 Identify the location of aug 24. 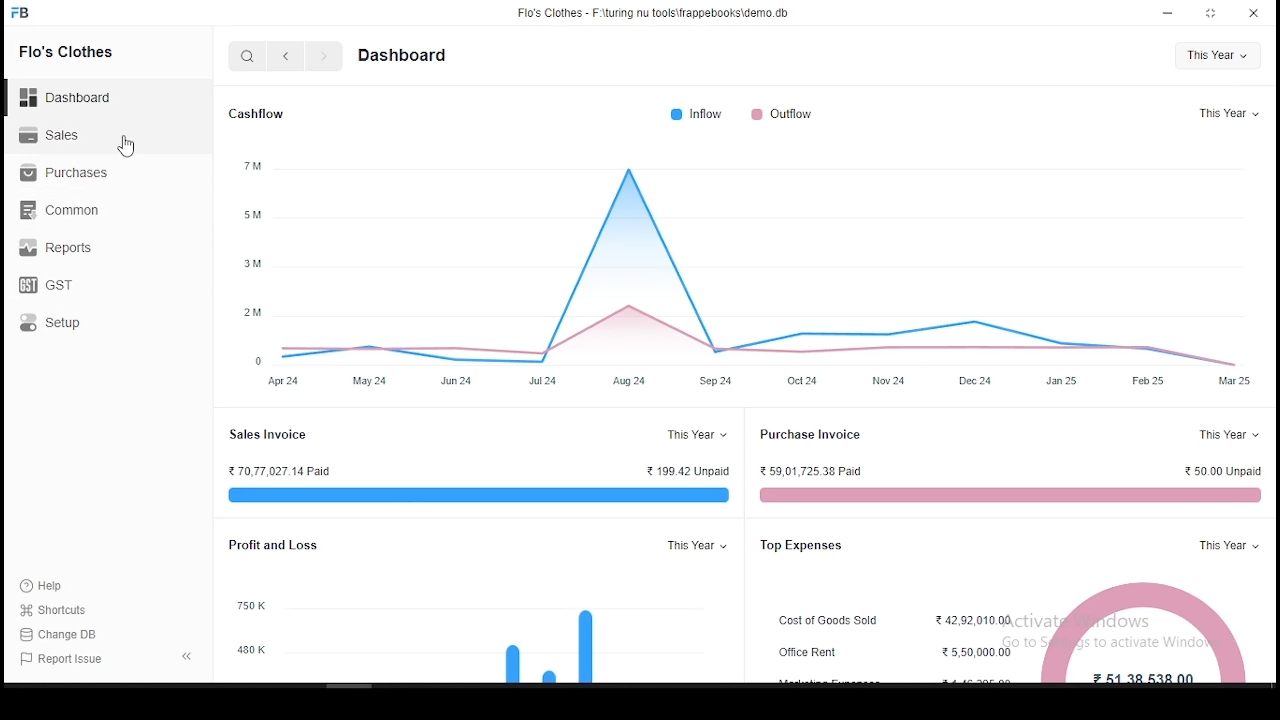
(623, 380).